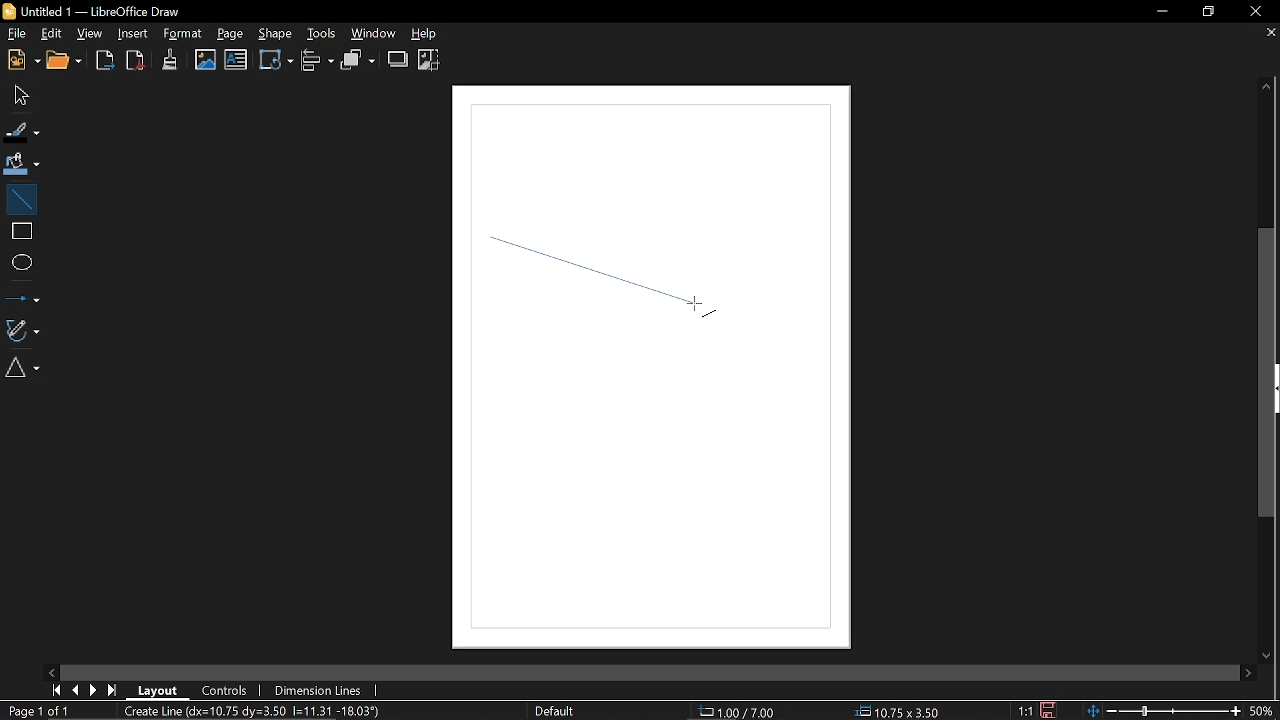 The height and width of the screenshot is (720, 1280). I want to click on Arrange, so click(359, 61).